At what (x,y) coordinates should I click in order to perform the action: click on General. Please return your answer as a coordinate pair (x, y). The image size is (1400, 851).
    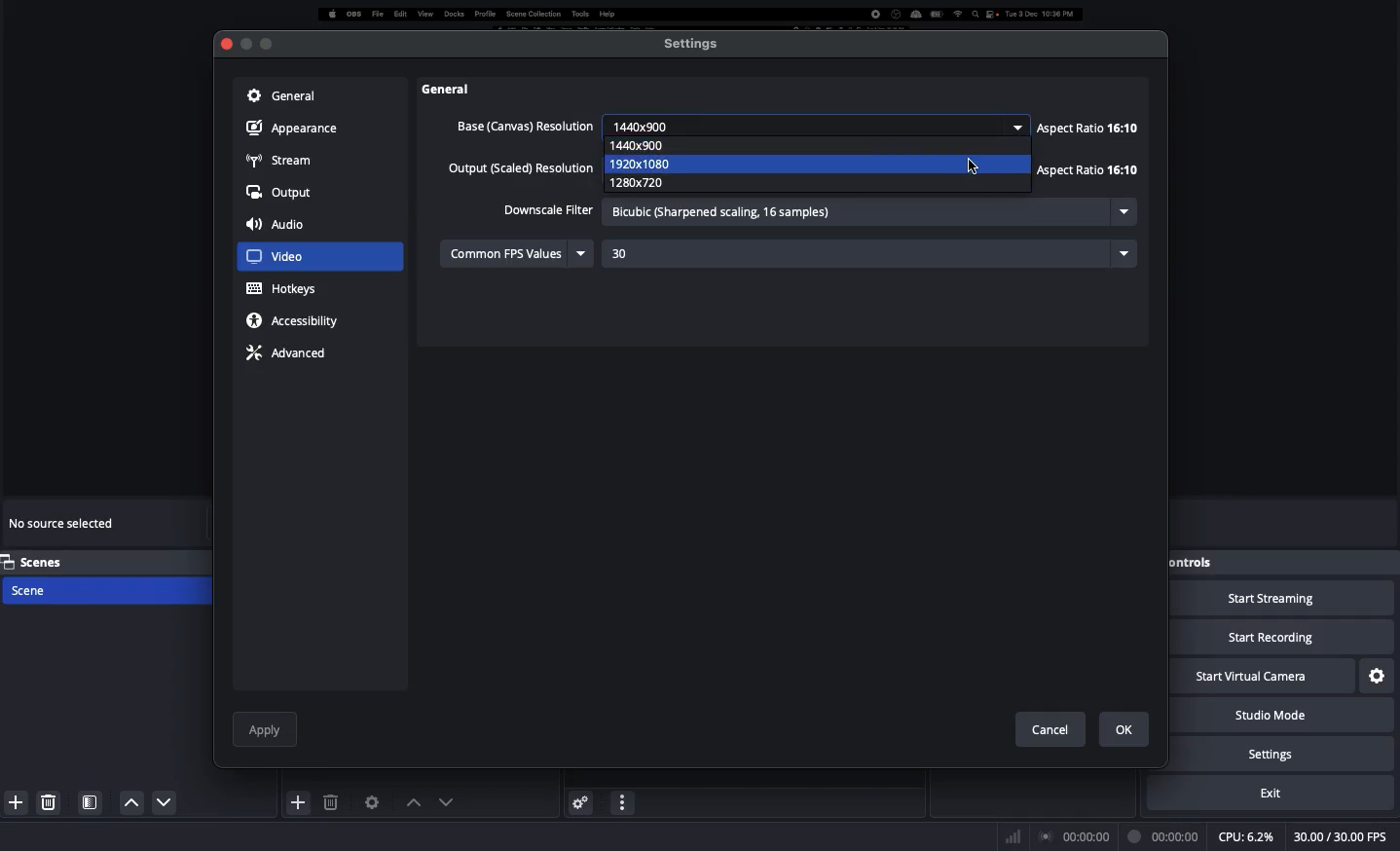
    Looking at the image, I should click on (279, 94).